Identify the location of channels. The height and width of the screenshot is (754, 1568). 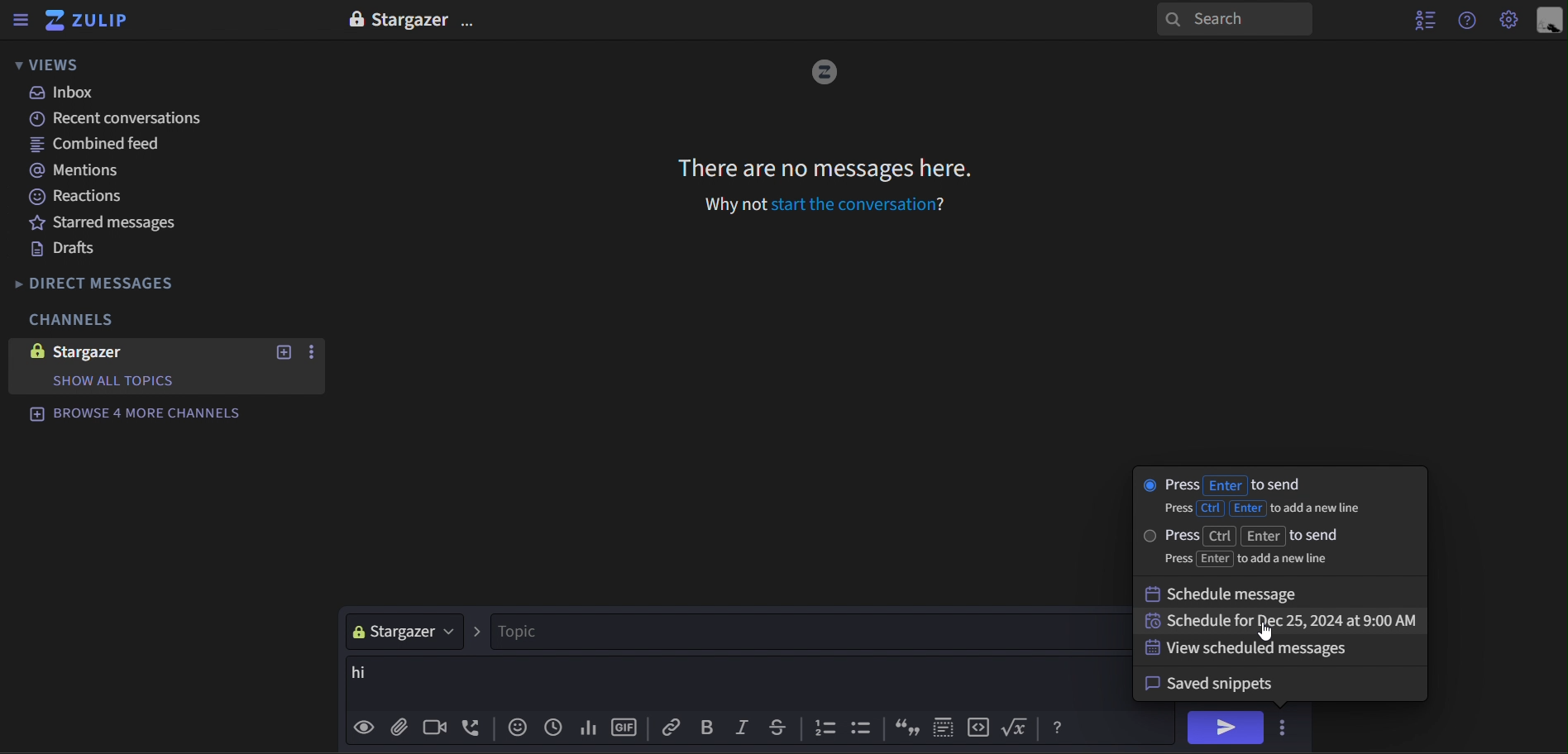
(76, 321).